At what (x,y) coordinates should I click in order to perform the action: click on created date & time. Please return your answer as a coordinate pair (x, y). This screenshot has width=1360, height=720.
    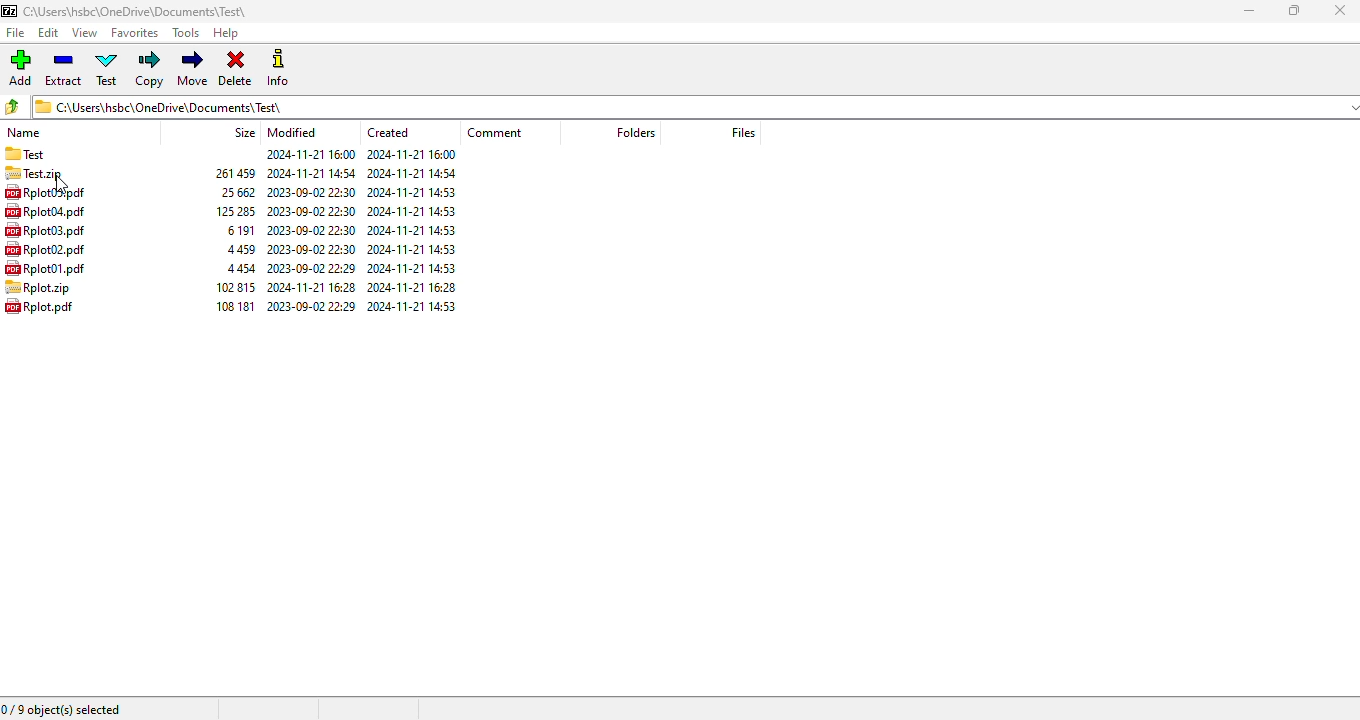
    Looking at the image, I should click on (411, 191).